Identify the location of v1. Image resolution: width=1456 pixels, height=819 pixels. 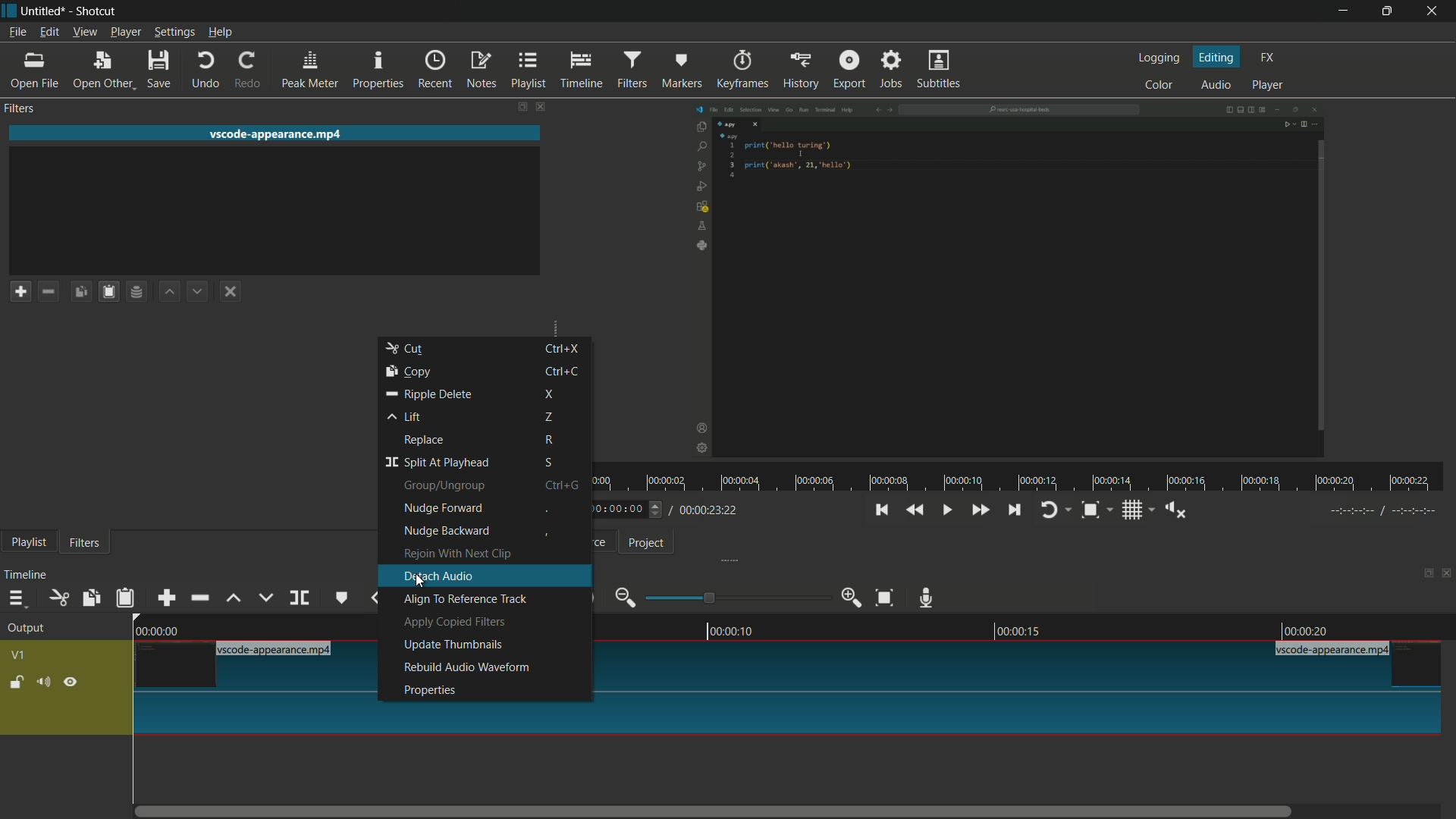
(19, 657).